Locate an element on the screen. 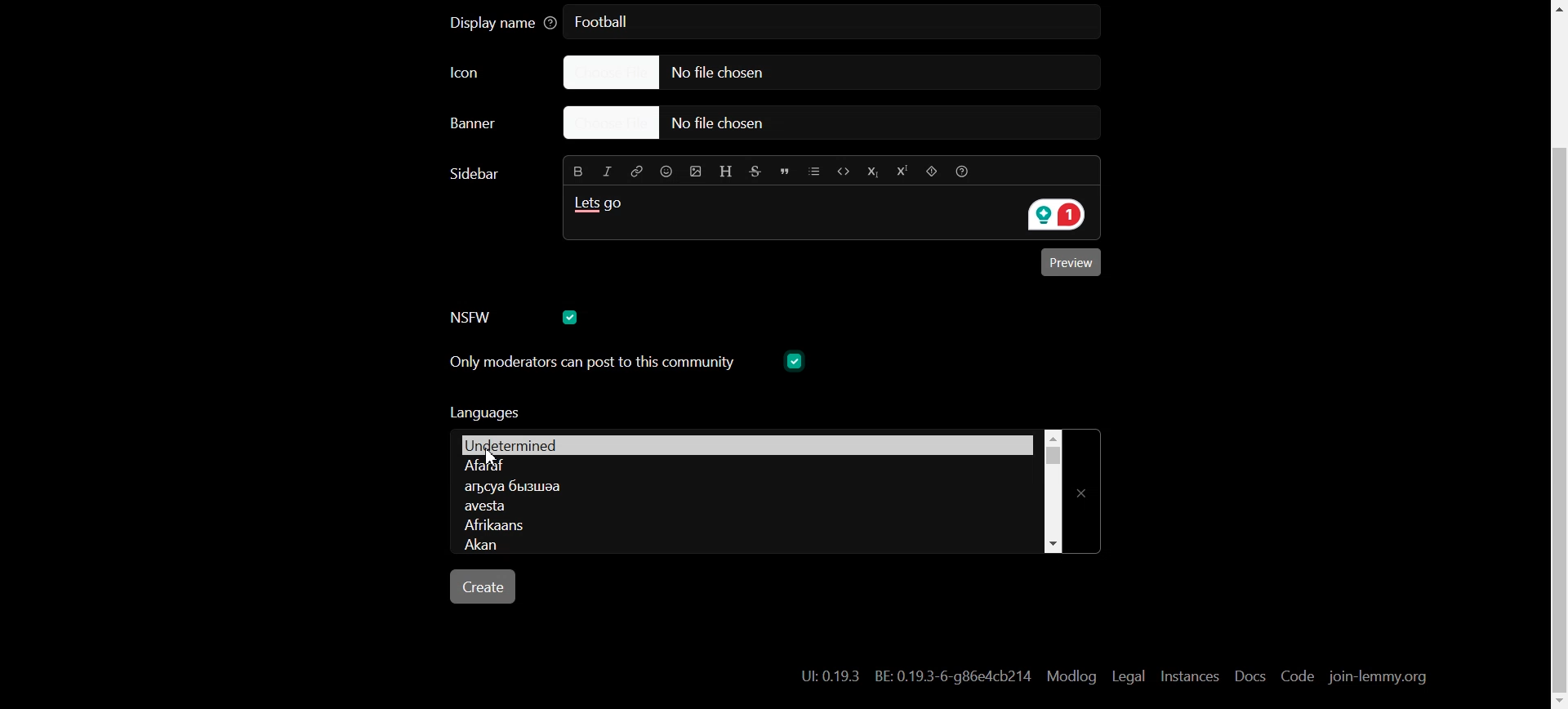  Vertical Scroll bar is located at coordinates (1555, 354).